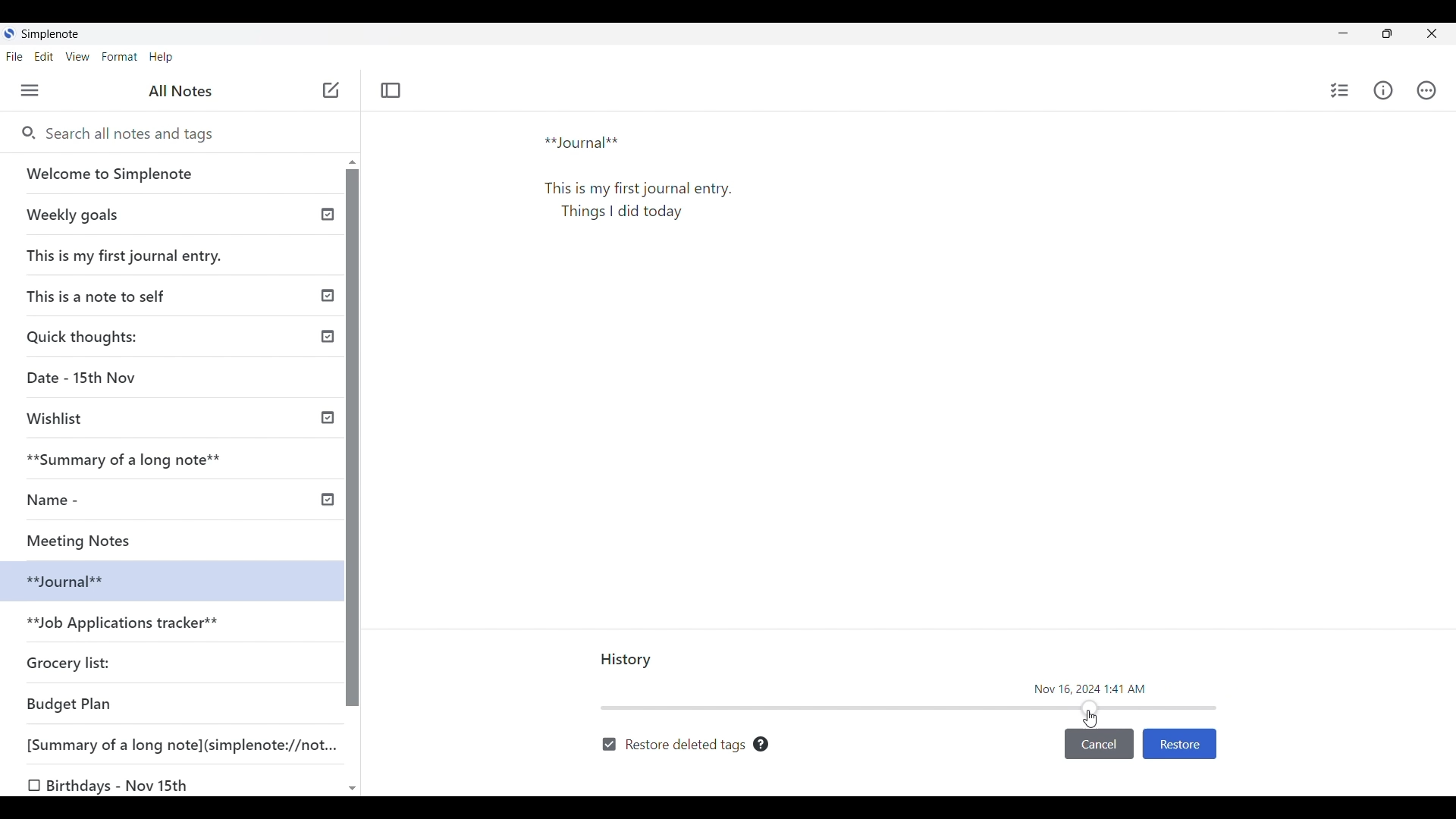  What do you see at coordinates (1090, 688) in the screenshot?
I see `Time and date of current change` at bounding box center [1090, 688].